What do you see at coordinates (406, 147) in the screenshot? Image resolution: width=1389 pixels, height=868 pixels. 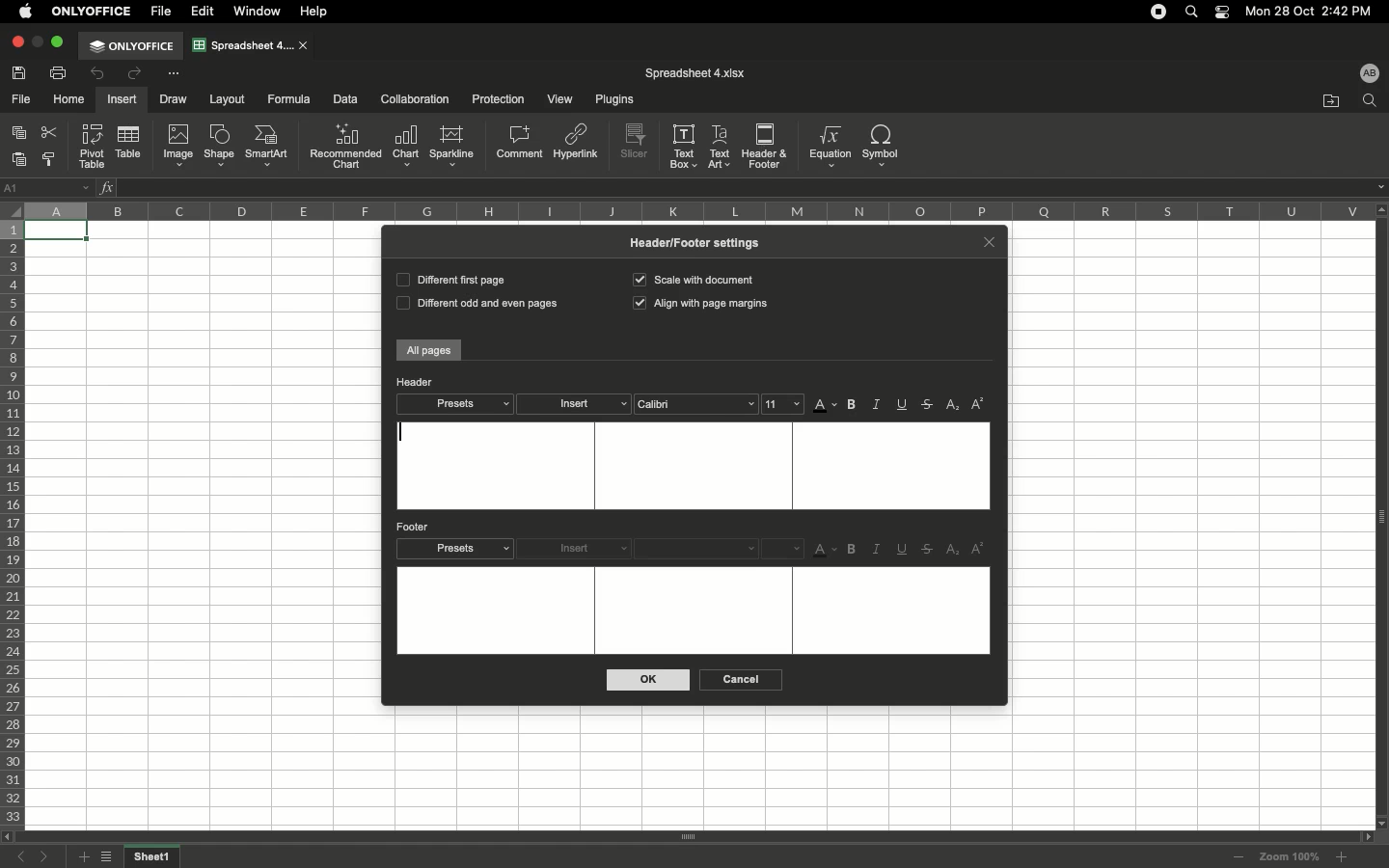 I see `Chart` at bounding box center [406, 147].